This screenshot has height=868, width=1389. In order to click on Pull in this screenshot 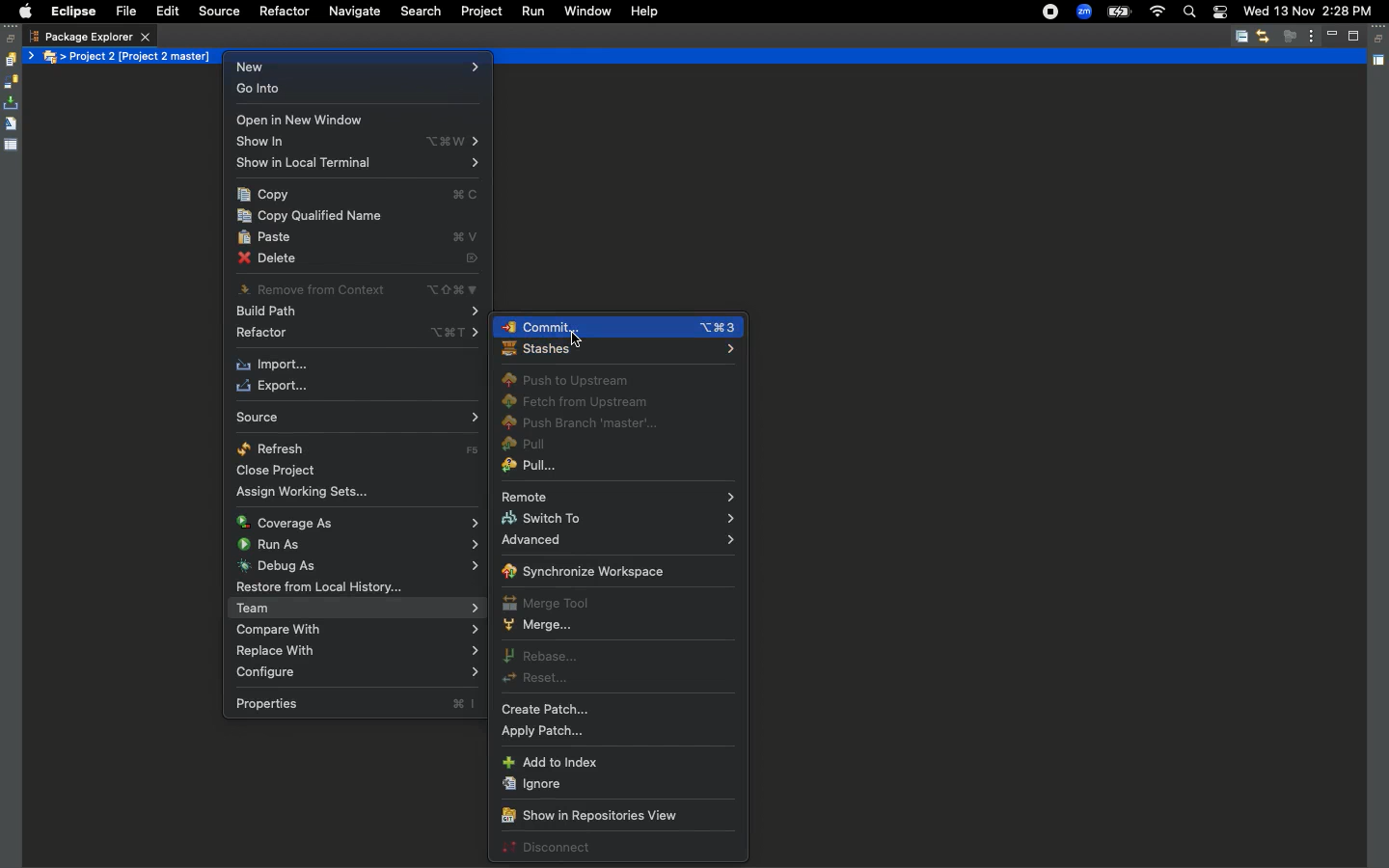, I will do `click(525, 447)`.